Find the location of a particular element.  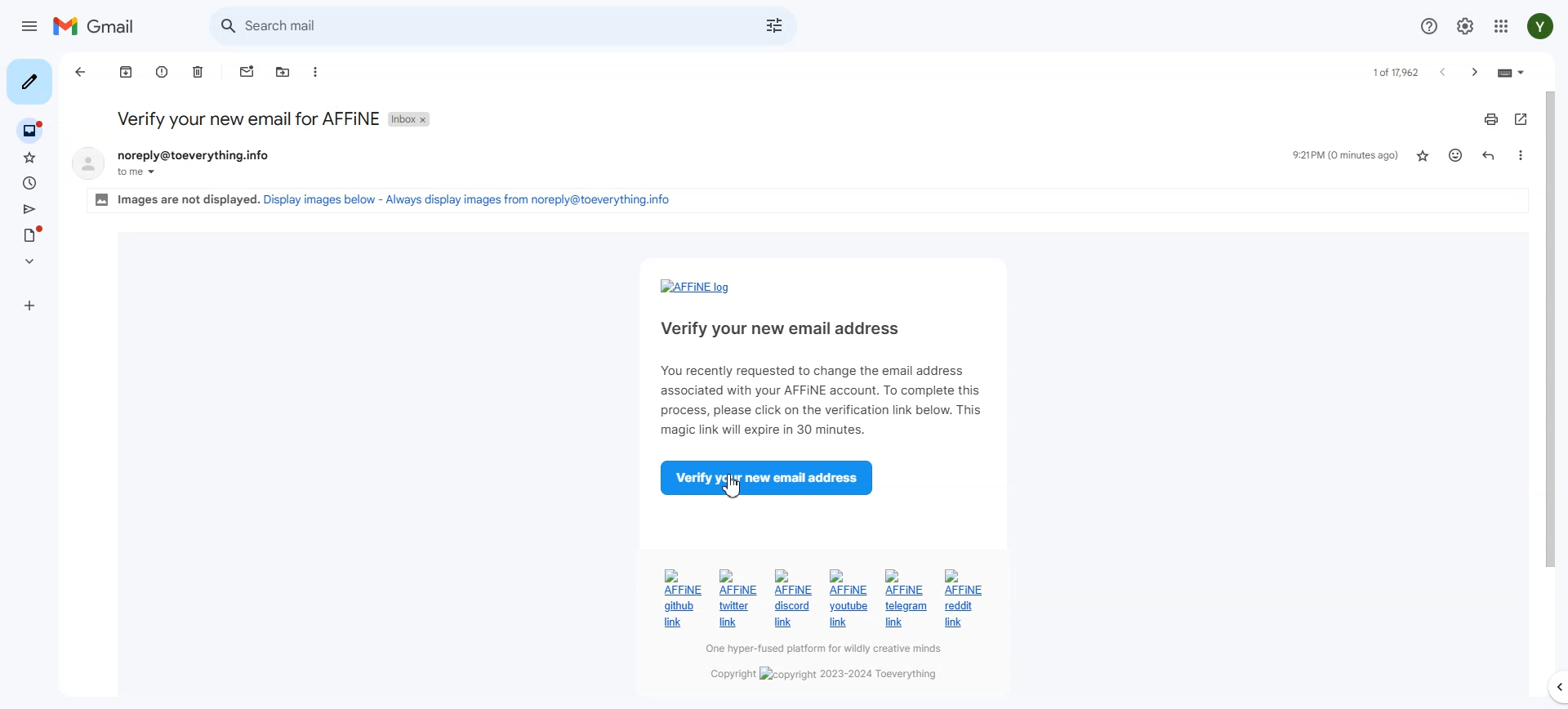

verify your email address is located at coordinates (780, 332).